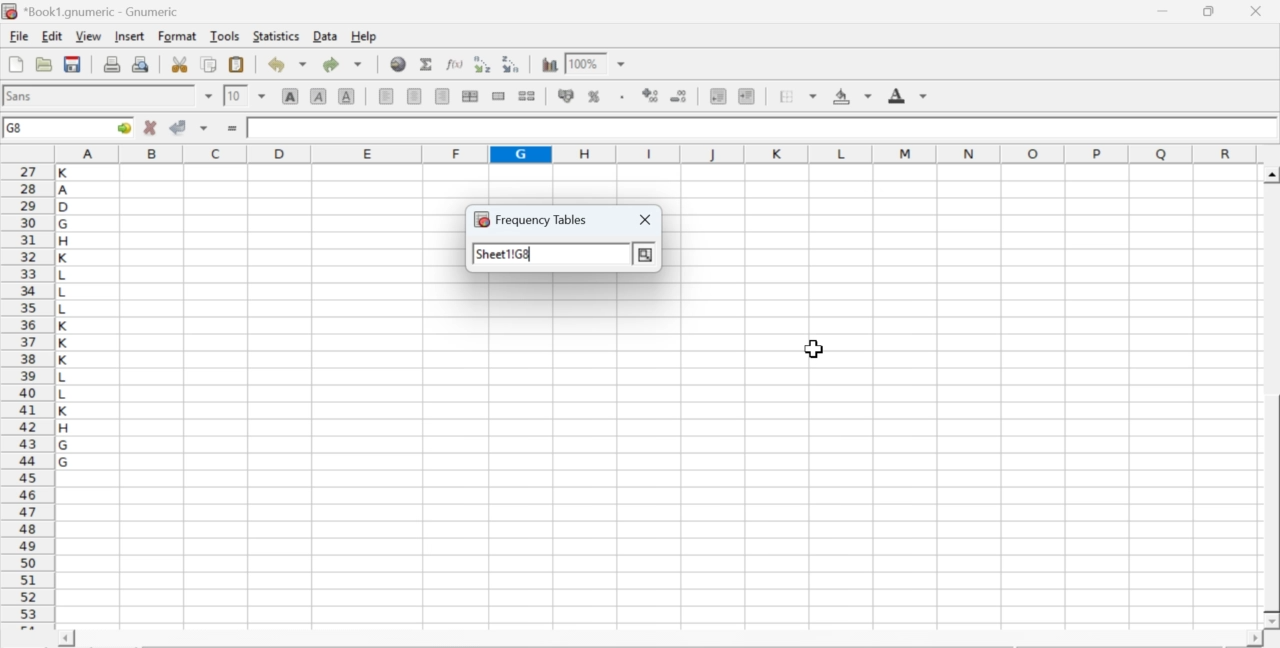 Image resolution: width=1280 pixels, height=648 pixels. Describe the element at coordinates (94, 9) in the screenshot. I see `application name` at that location.